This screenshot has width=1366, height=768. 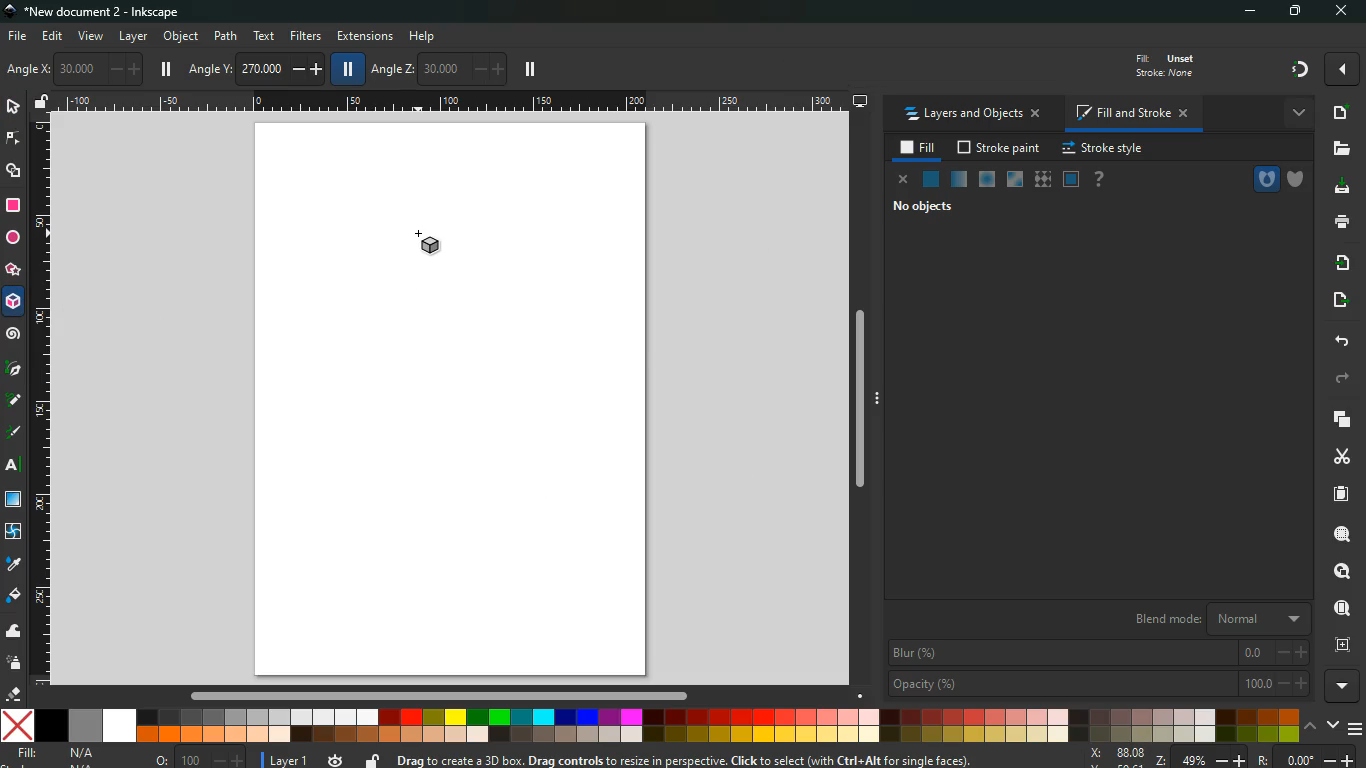 What do you see at coordinates (1340, 534) in the screenshot?
I see `search` at bounding box center [1340, 534].